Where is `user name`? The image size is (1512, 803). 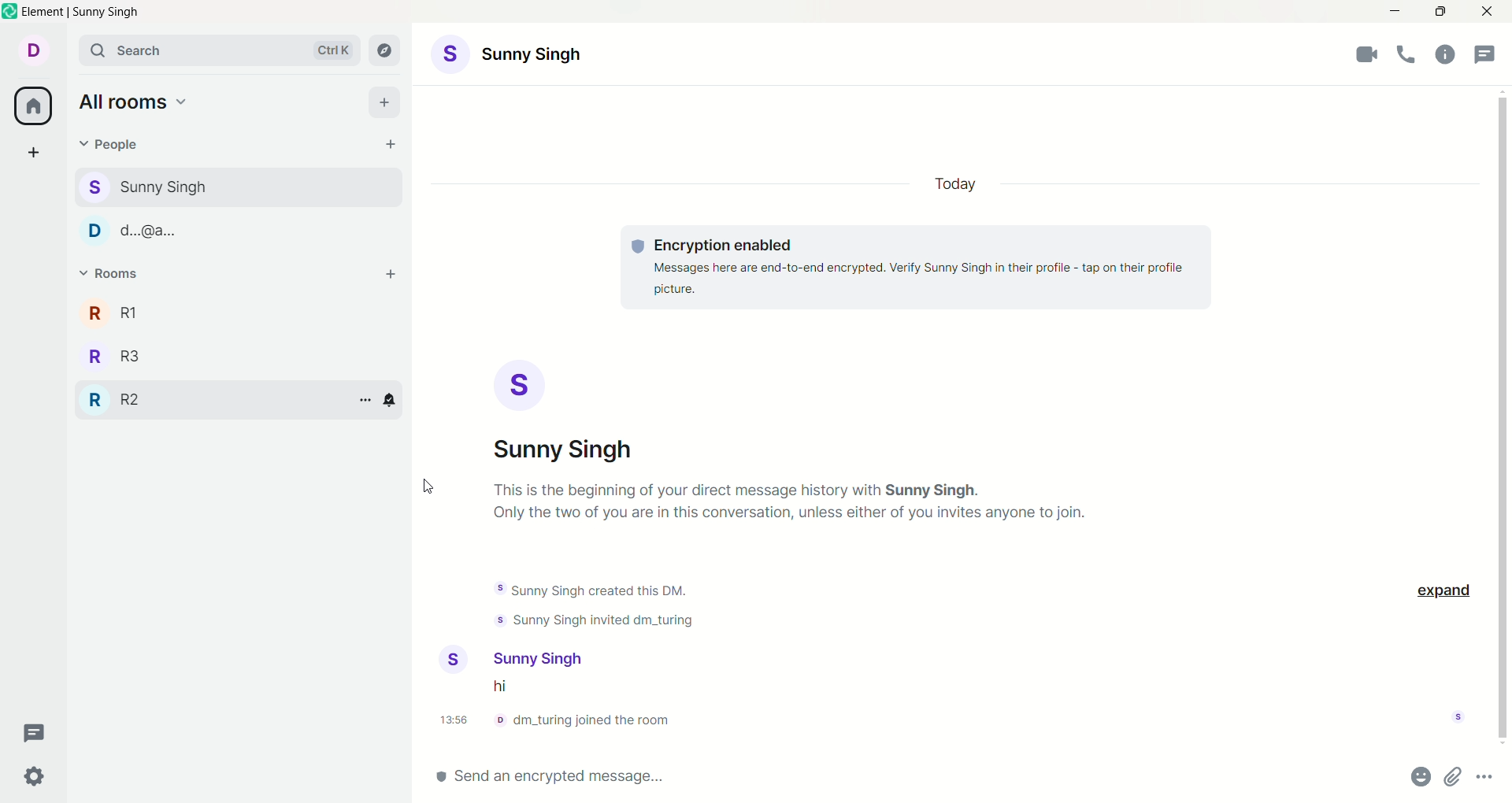 user name is located at coordinates (541, 657).